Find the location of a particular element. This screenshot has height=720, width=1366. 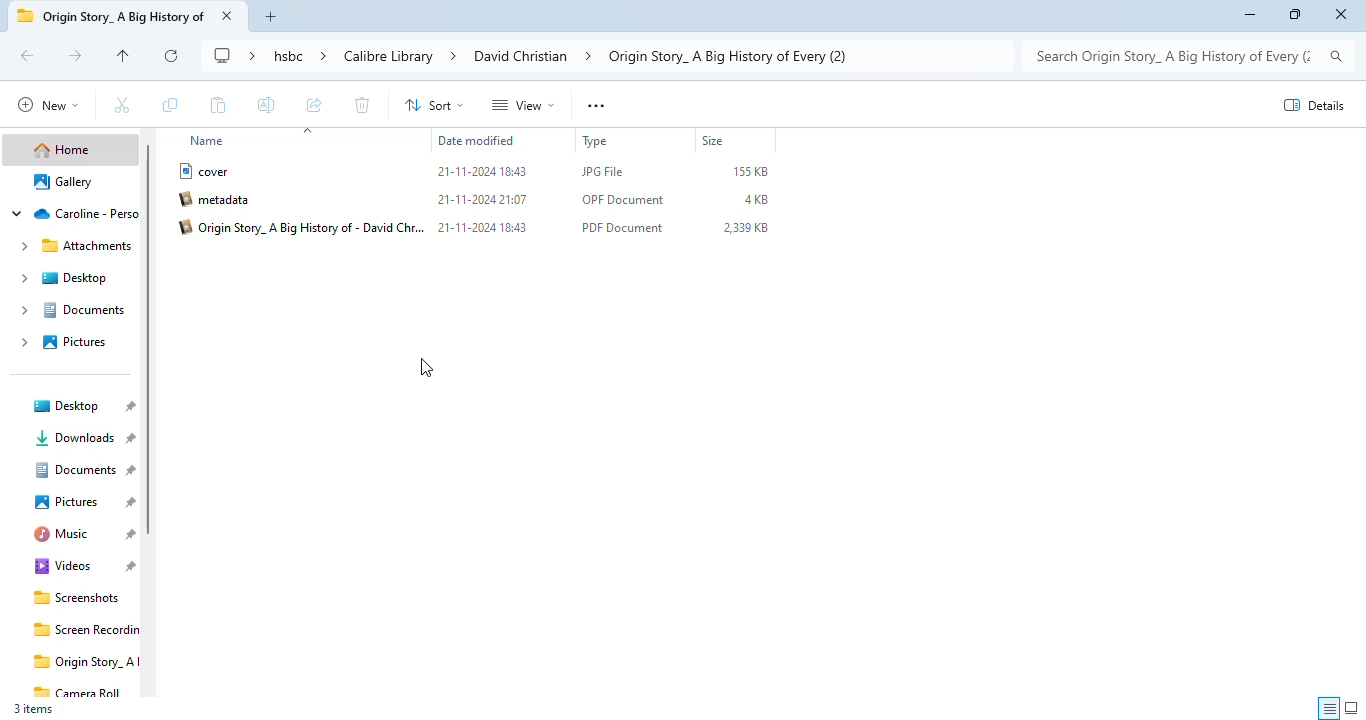

view is located at coordinates (522, 105).